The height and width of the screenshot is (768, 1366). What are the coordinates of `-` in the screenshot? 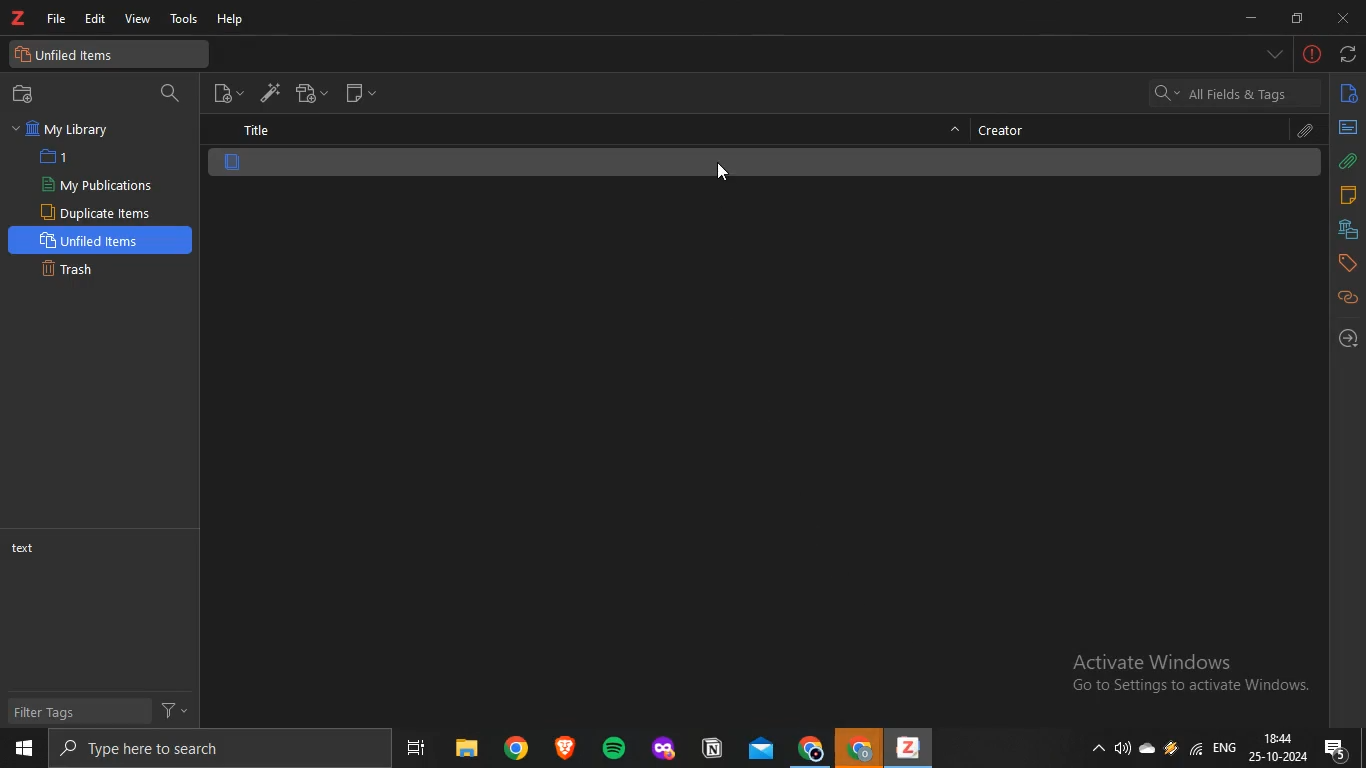 It's located at (1312, 53).